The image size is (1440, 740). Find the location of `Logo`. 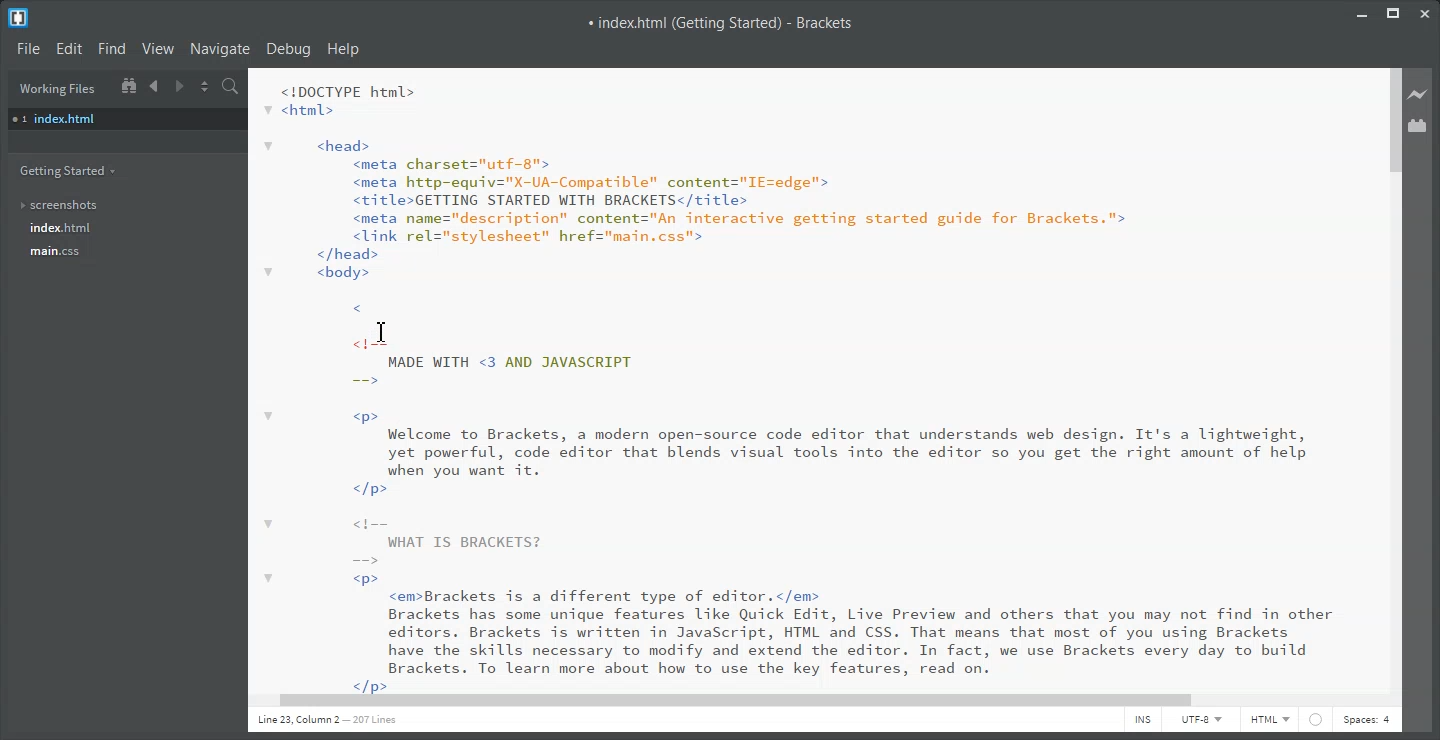

Logo is located at coordinates (19, 17).